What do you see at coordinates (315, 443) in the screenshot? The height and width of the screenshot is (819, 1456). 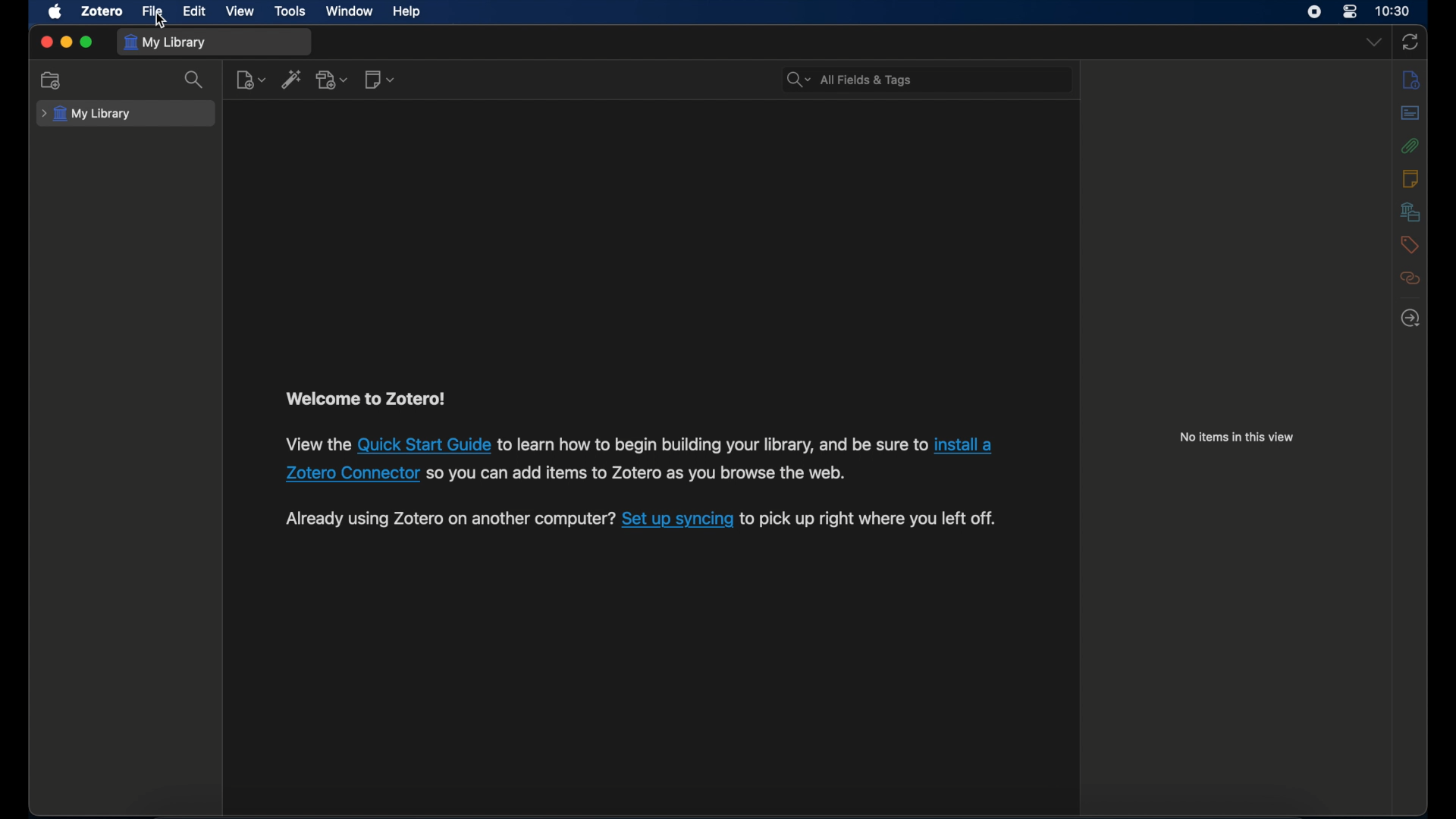 I see `view the ` at bounding box center [315, 443].